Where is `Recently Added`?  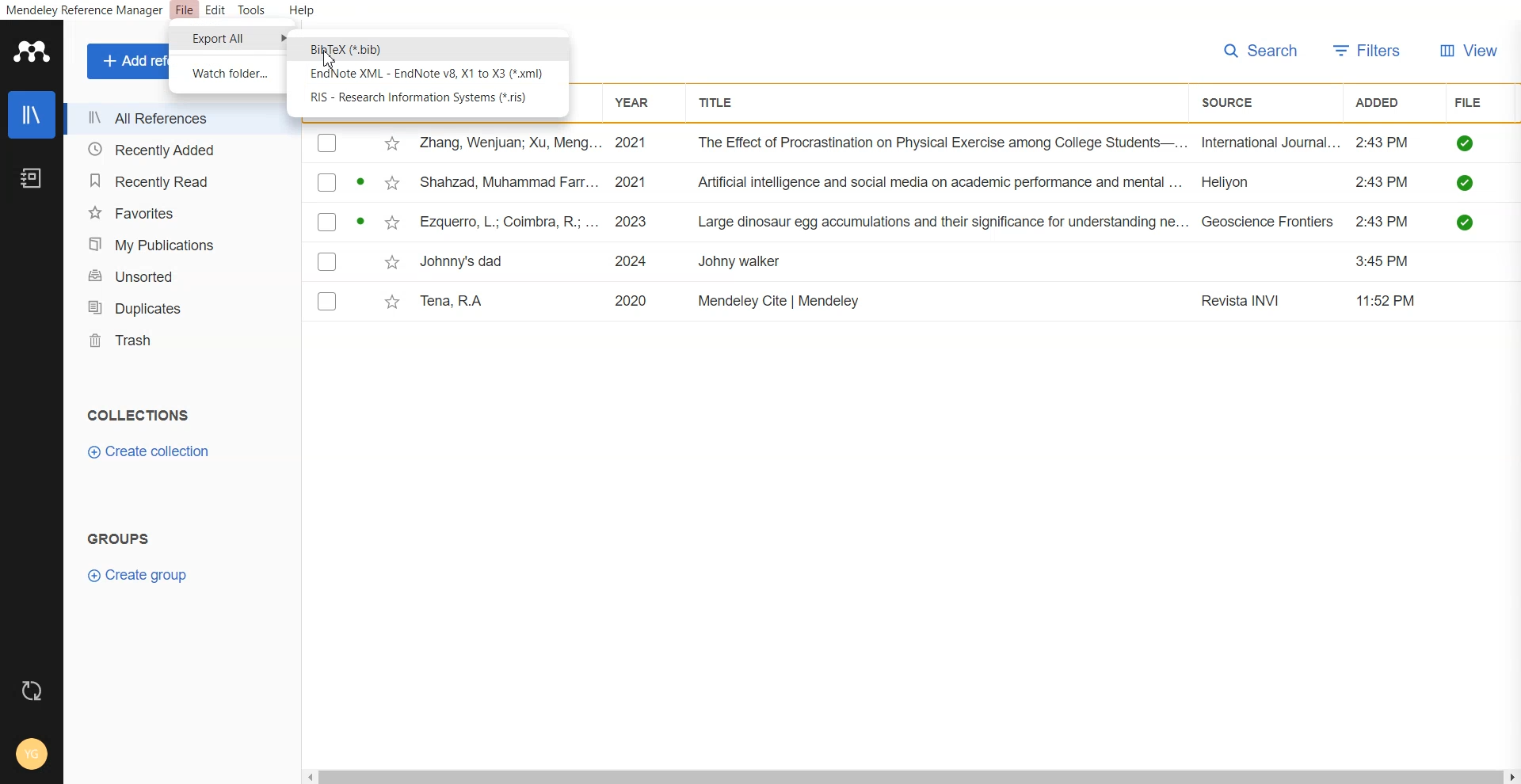 Recently Added is located at coordinates (174, 150).